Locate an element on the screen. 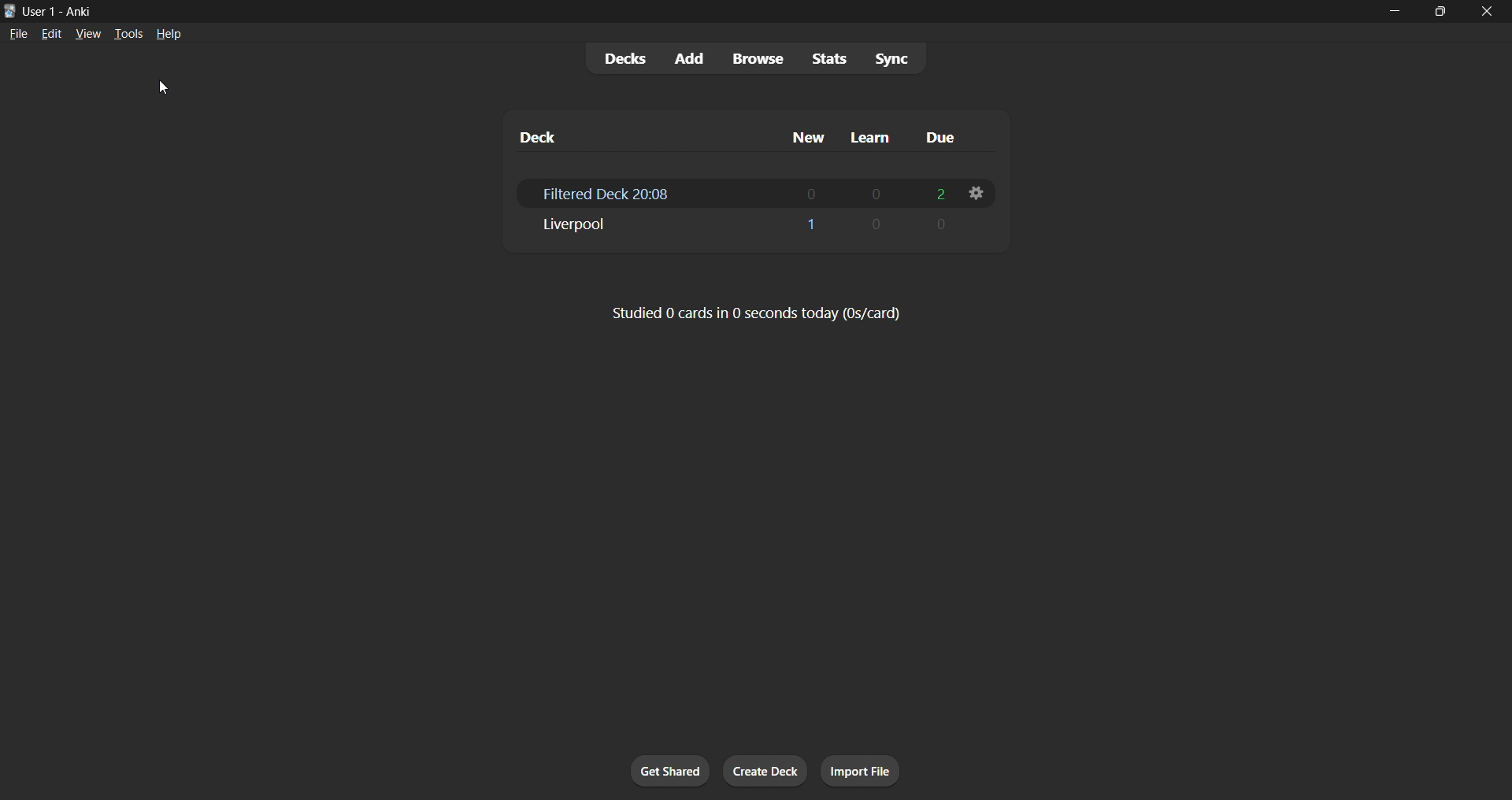  file is located at coordinates (16, 34).